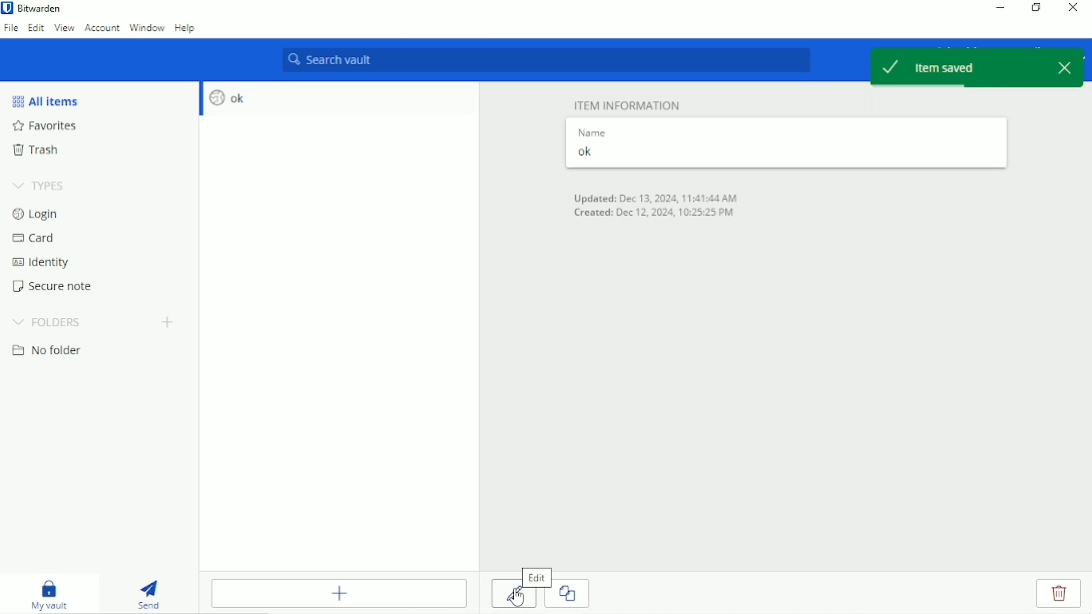 The height and width of the screenshot is (614, 1092). What do you see at coordinates (102, 28) in the screenshot?
I see `Account` at bounding box center [102, 28].